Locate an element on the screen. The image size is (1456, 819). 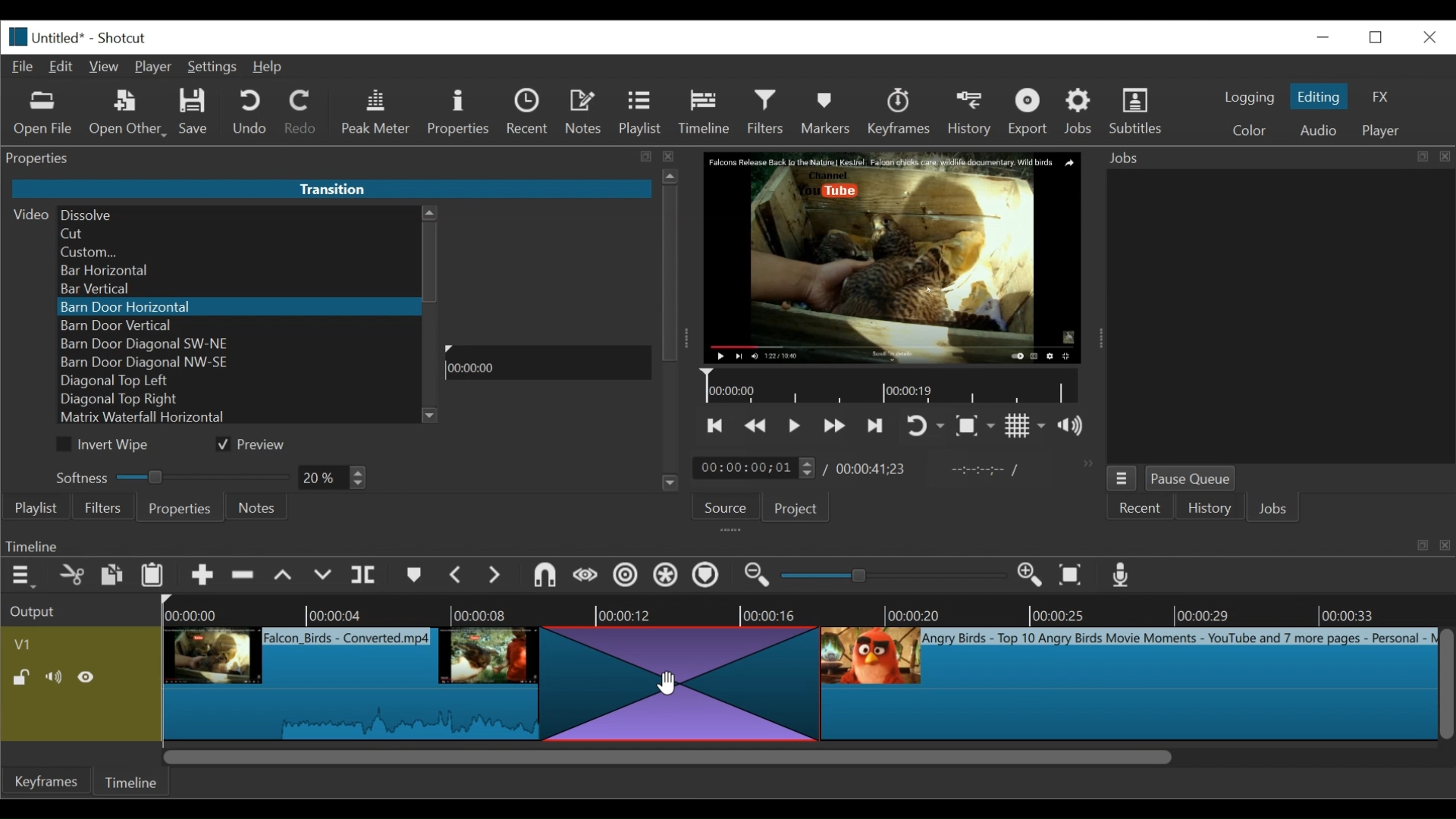
Ripple Markers is located at coordinates (709, 576).